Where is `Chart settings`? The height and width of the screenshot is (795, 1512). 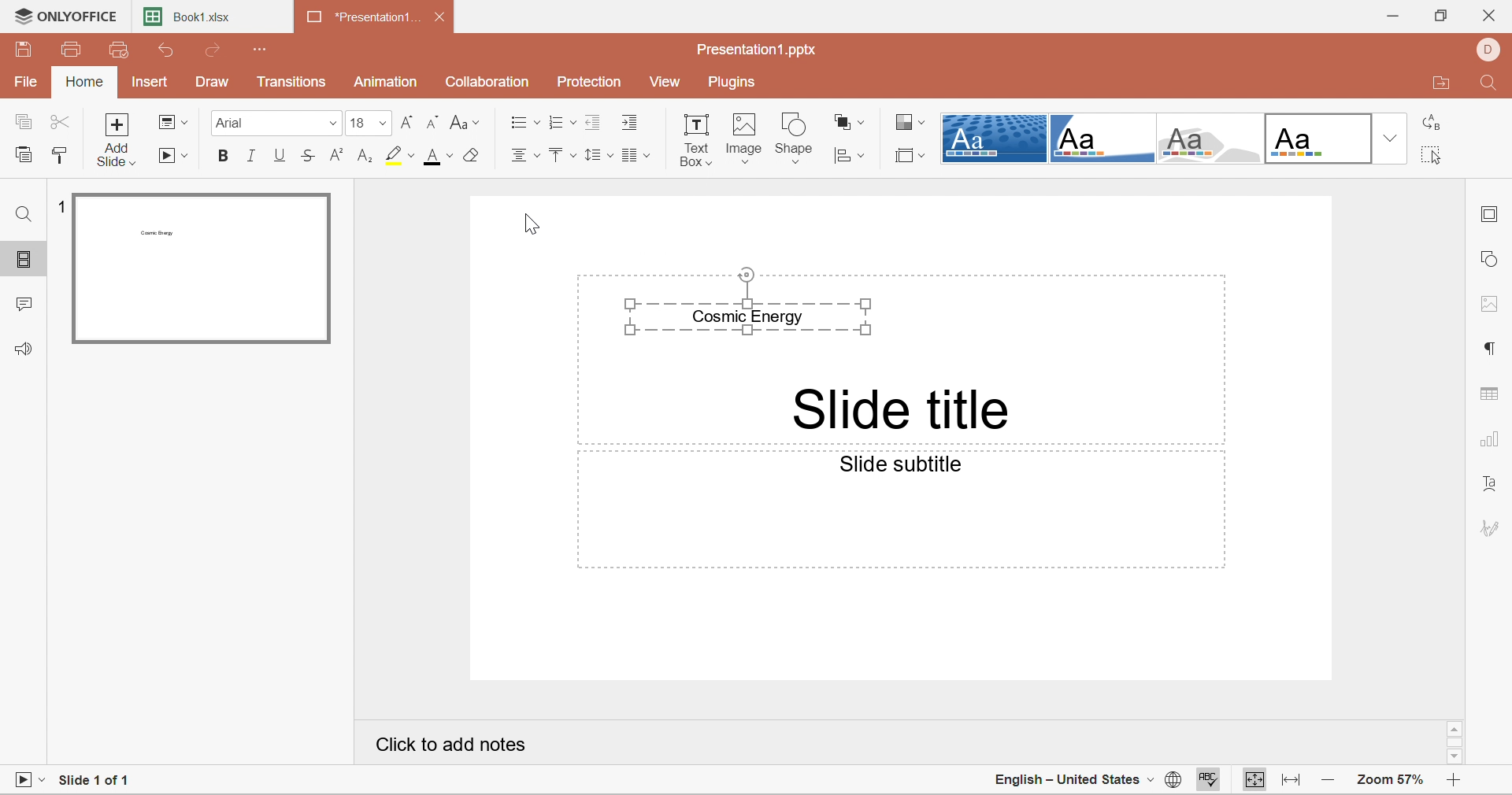 Chart settings is located at coordinates (1492, 442).